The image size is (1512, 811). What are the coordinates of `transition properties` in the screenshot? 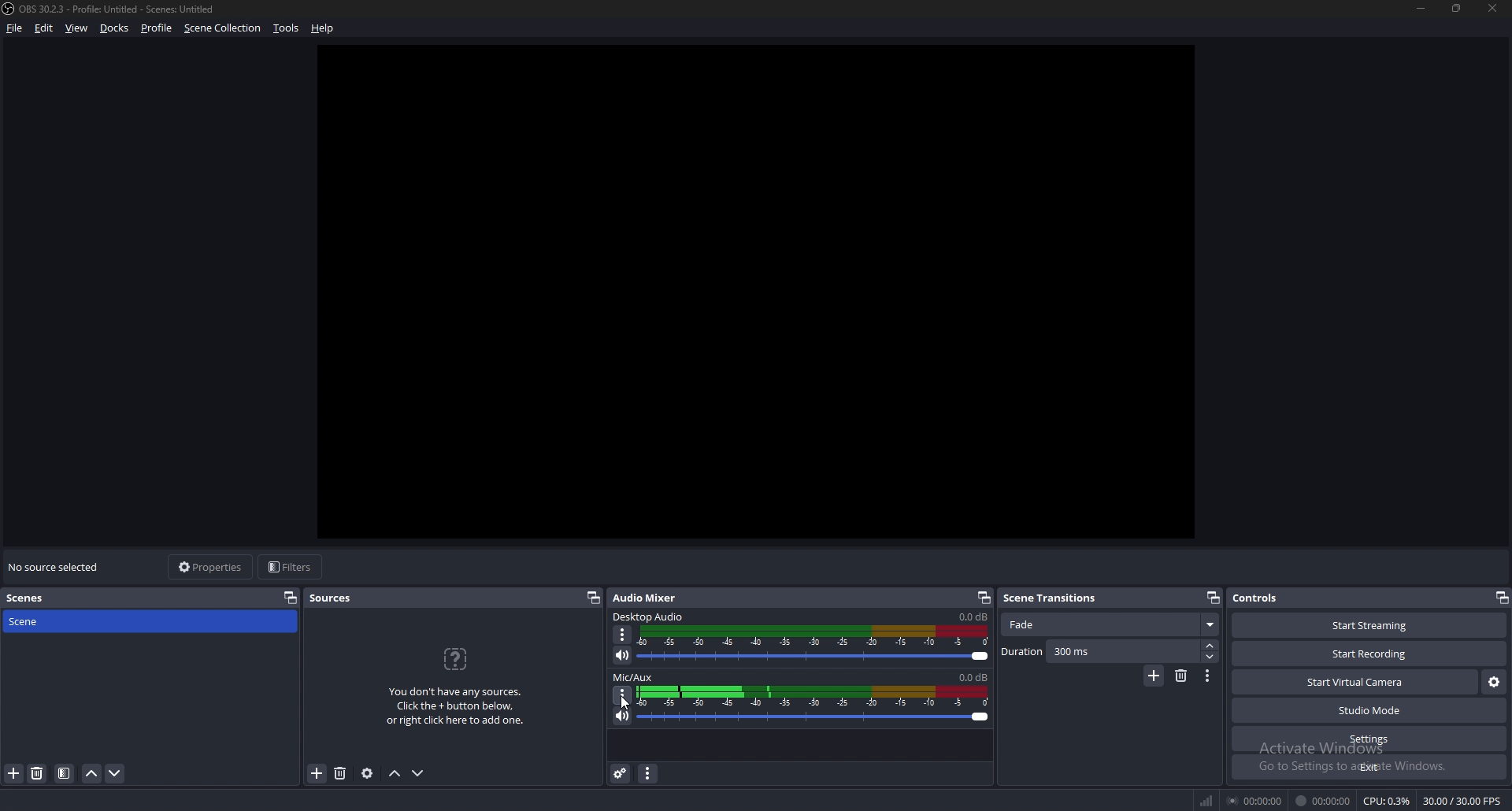 It's located at (1210, 676).